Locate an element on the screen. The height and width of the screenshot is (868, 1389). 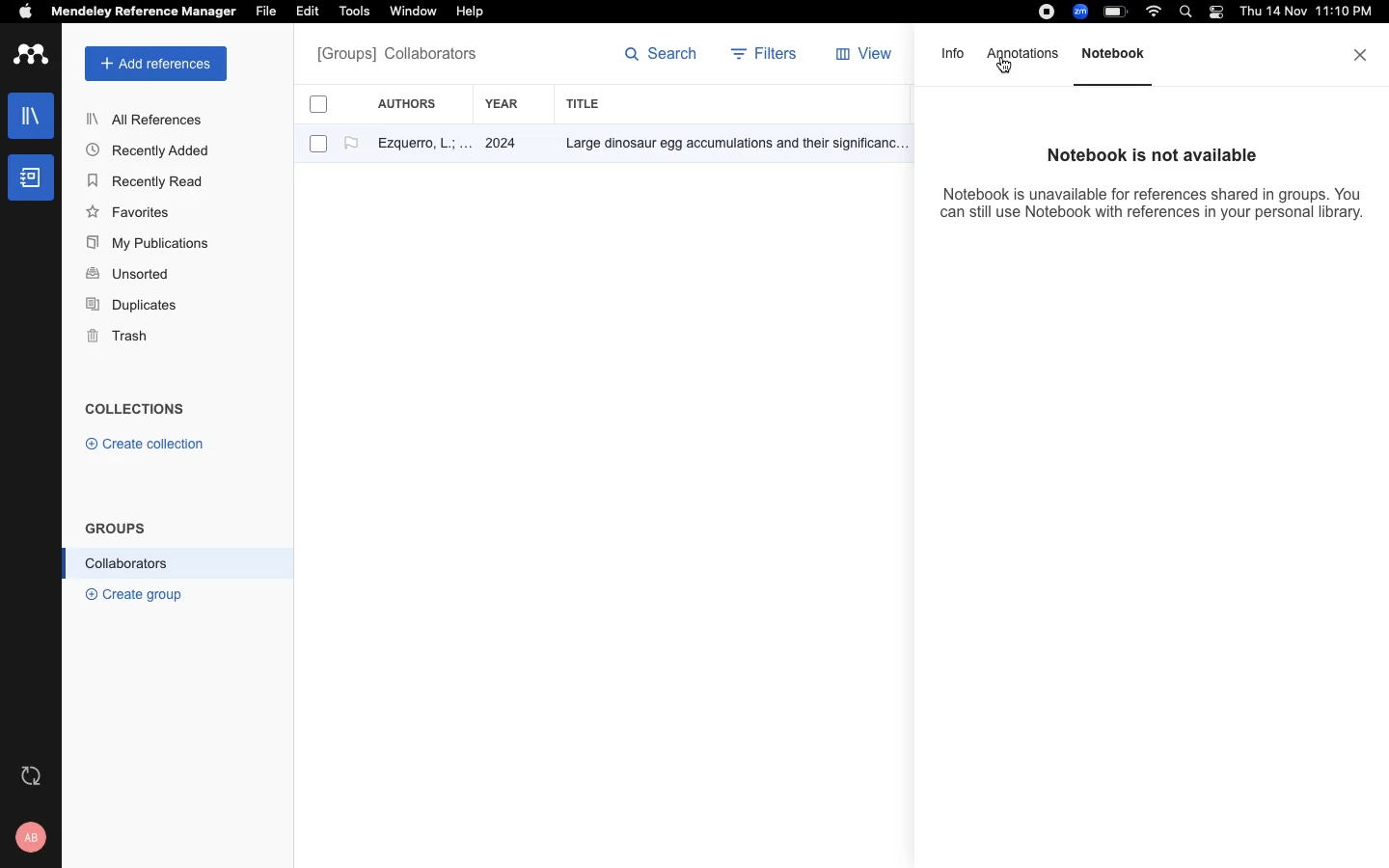
recording is located at coordinates (1044, 13).